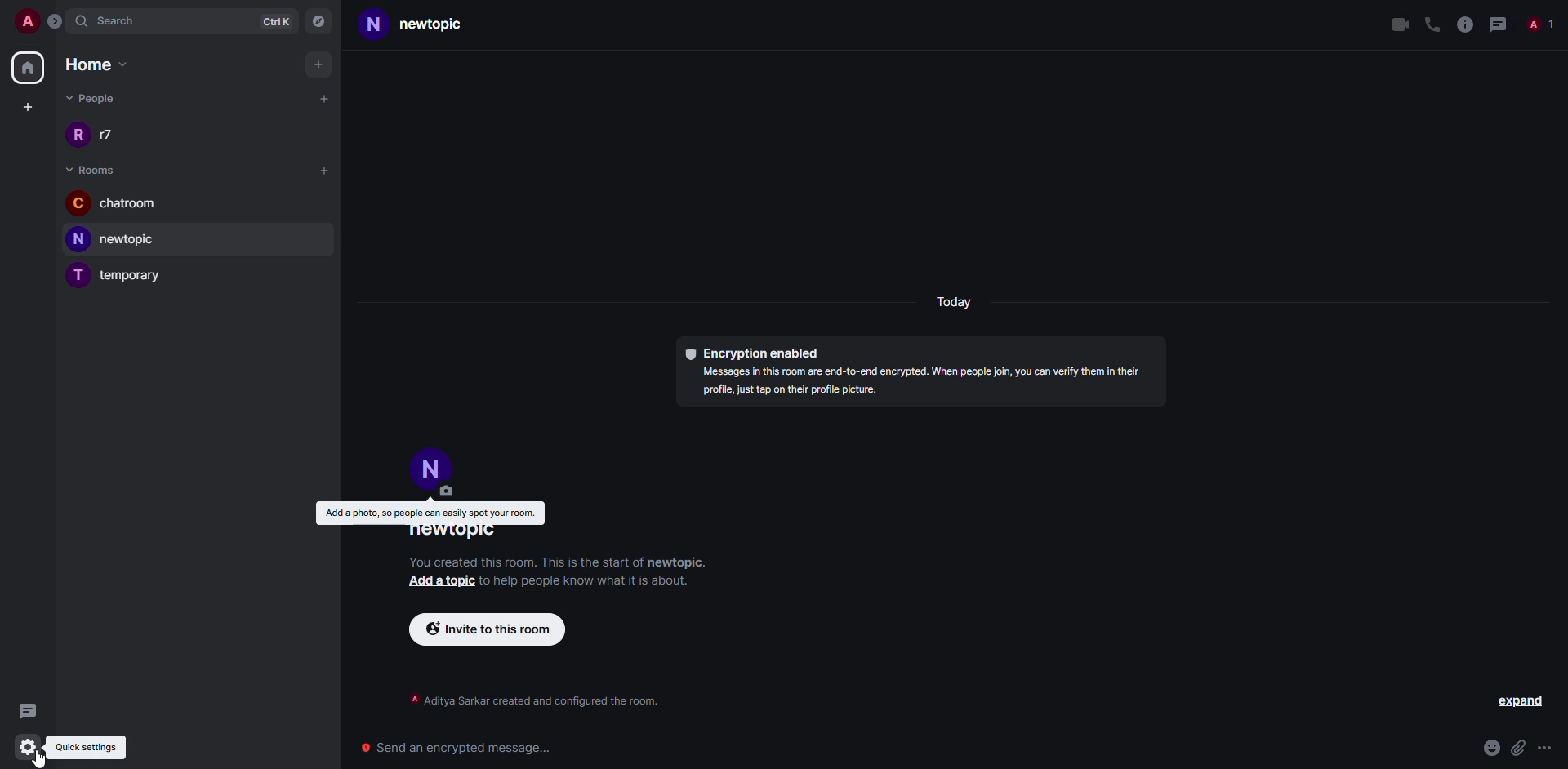 The width and height of the screenshot is (1568, 769). Describe the element at coordinates (1432, 24) in the screenshot. I see `voice call` at that location.